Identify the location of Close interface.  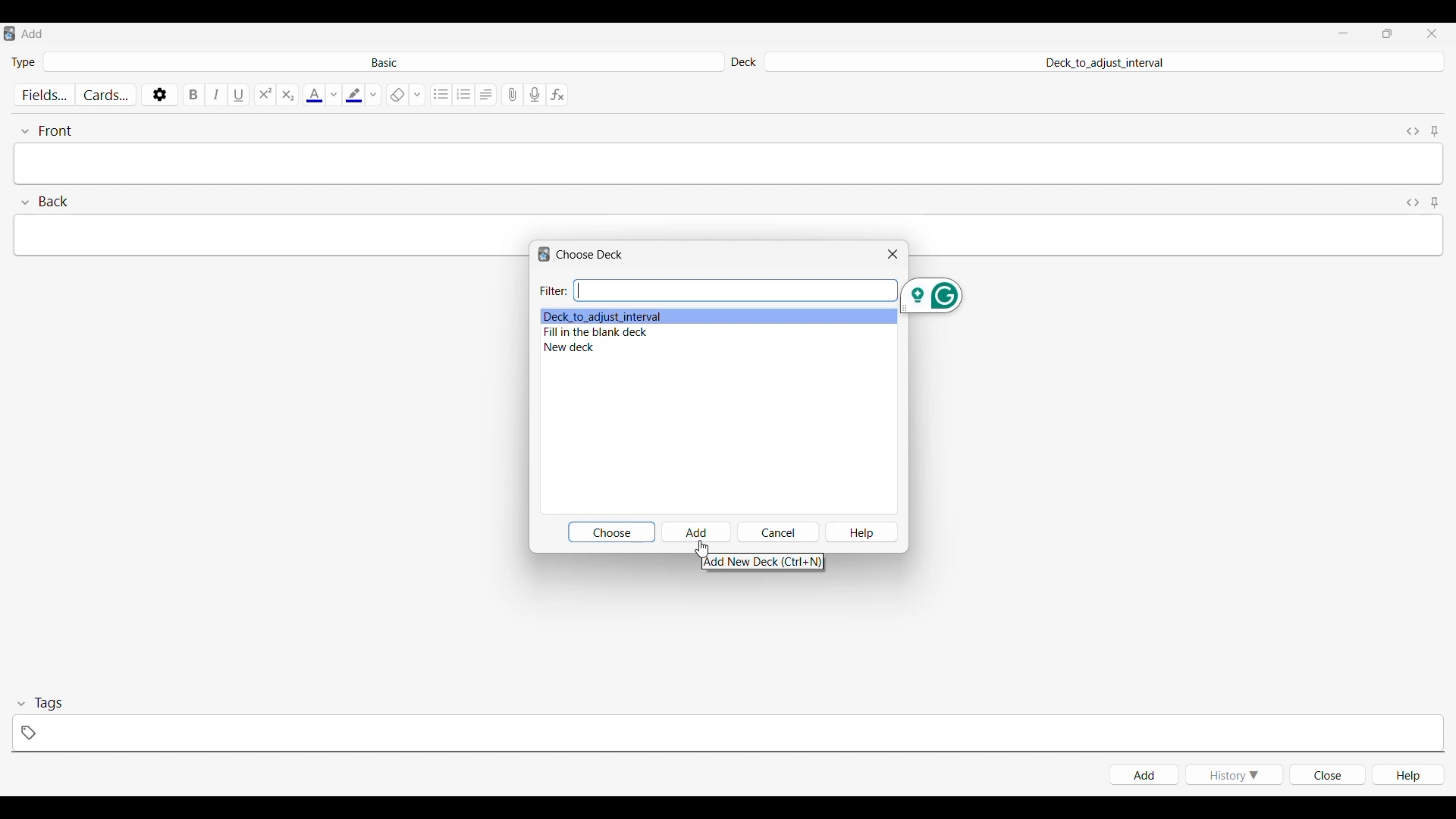
(1432, 33).